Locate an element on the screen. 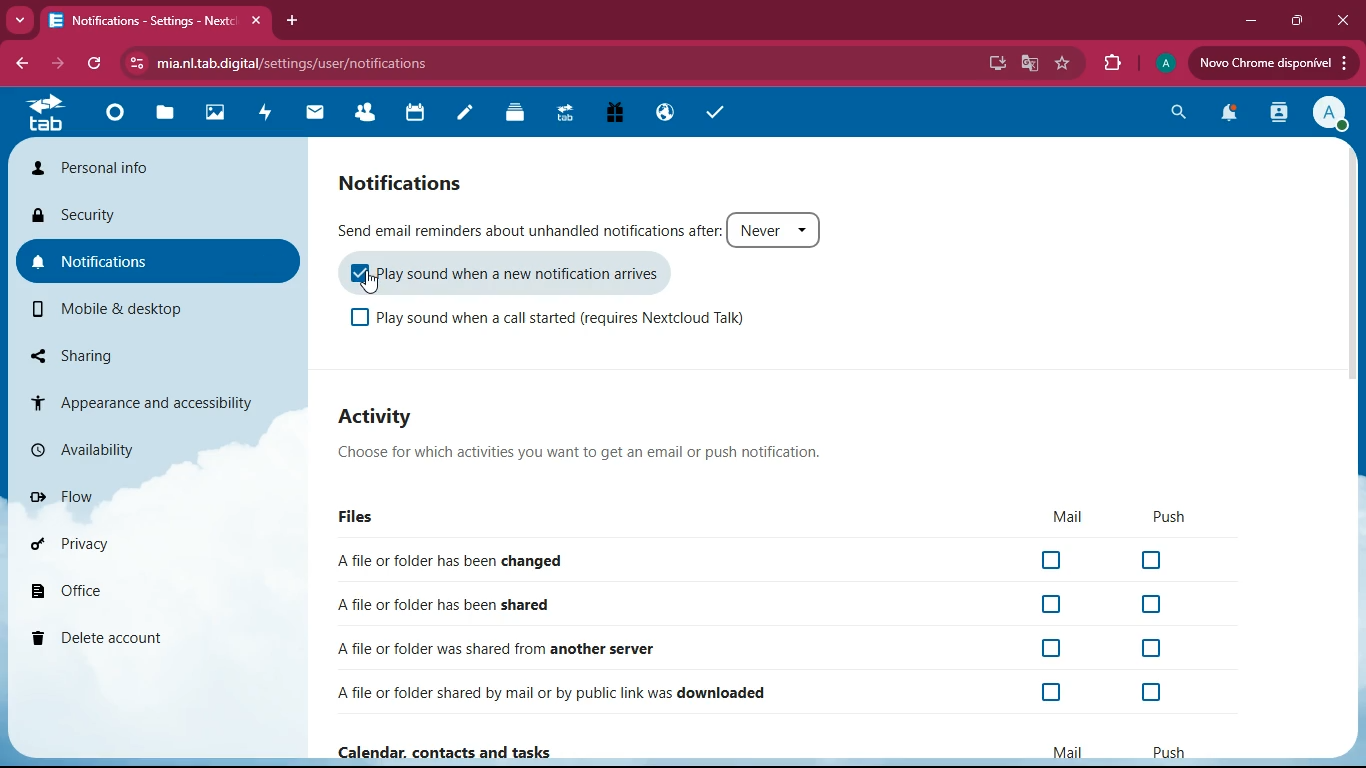  friends is located at coordinates (371, 114).